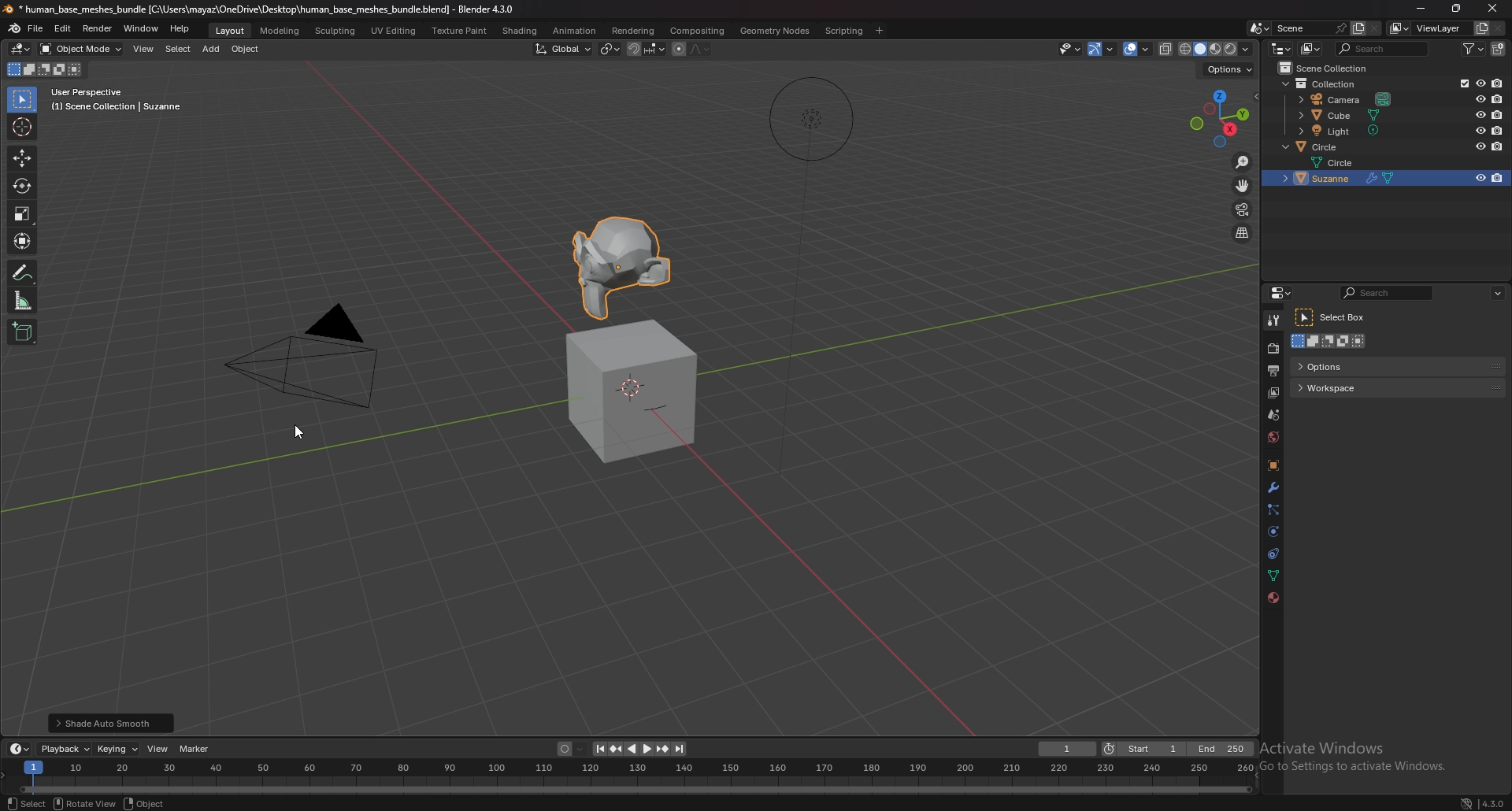  What do you see at coordinates (1473, 49) in the screenshot?
I see `filter` at bounding box center [1473, 49].